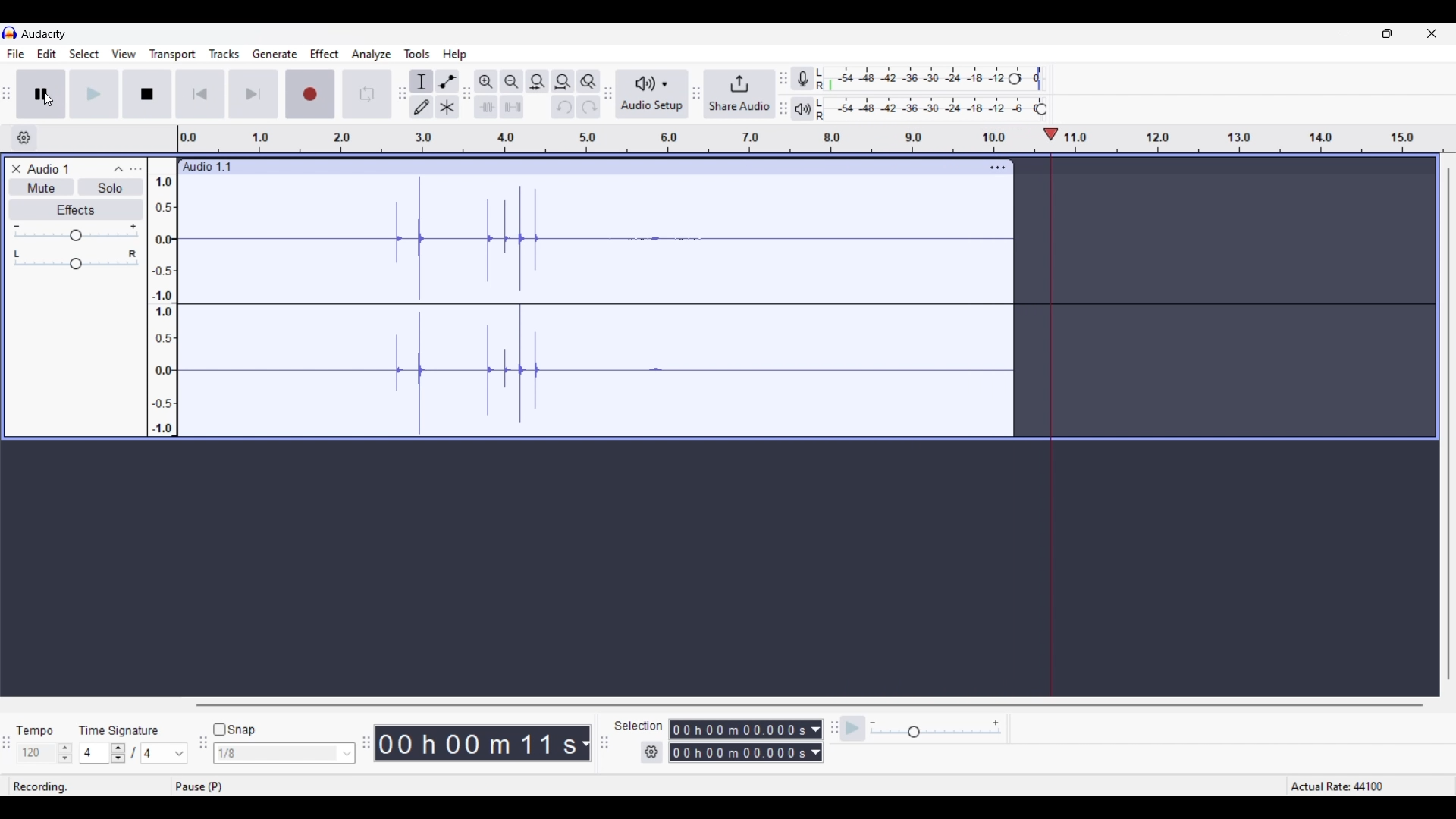  What do you see at coordinates (9, 92) in the screenshot?
I see `toolbar` at bounding box center [9, 92].